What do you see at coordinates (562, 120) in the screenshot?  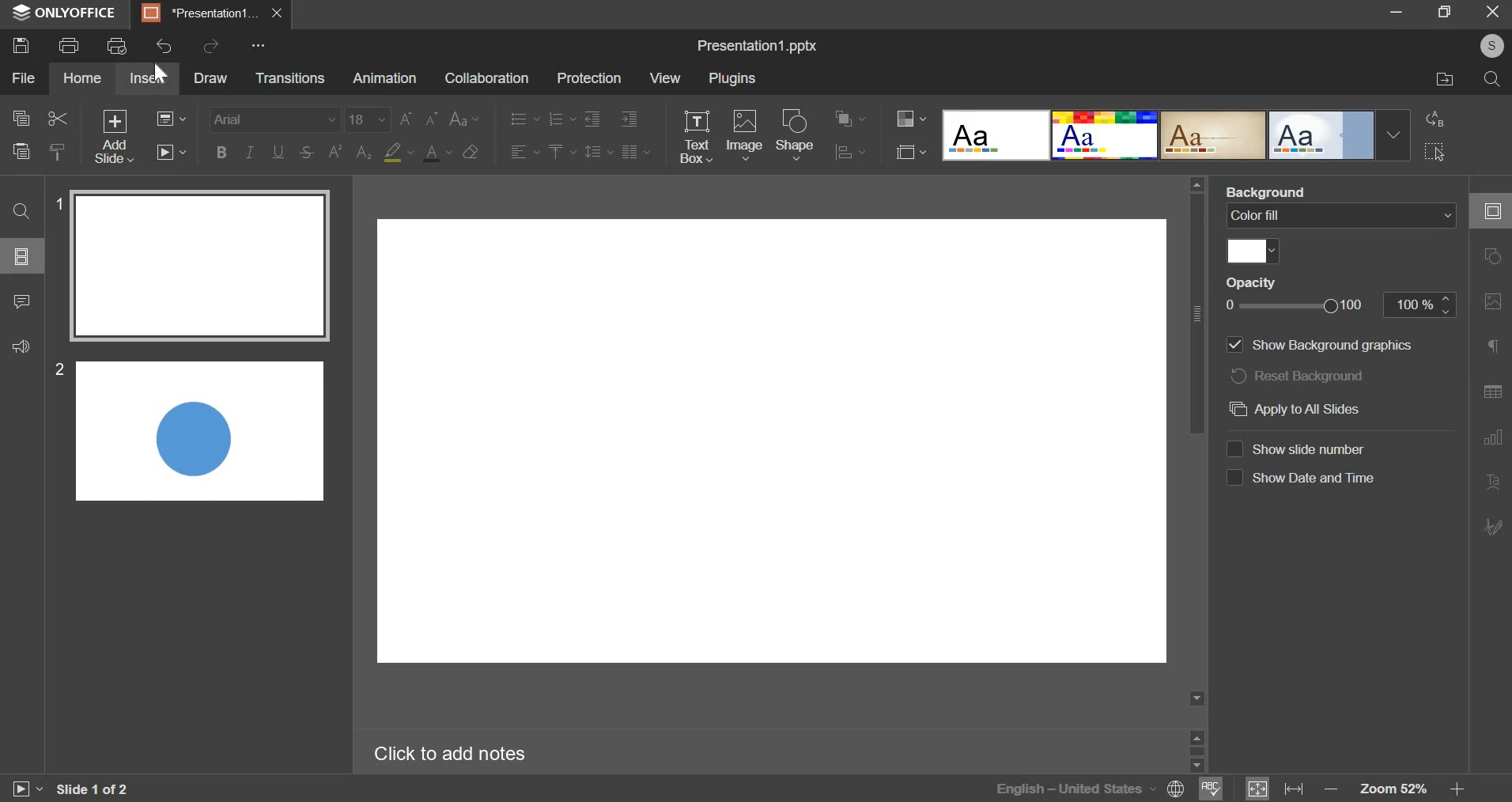 I see `numbering` at bounding box center [562, 120].